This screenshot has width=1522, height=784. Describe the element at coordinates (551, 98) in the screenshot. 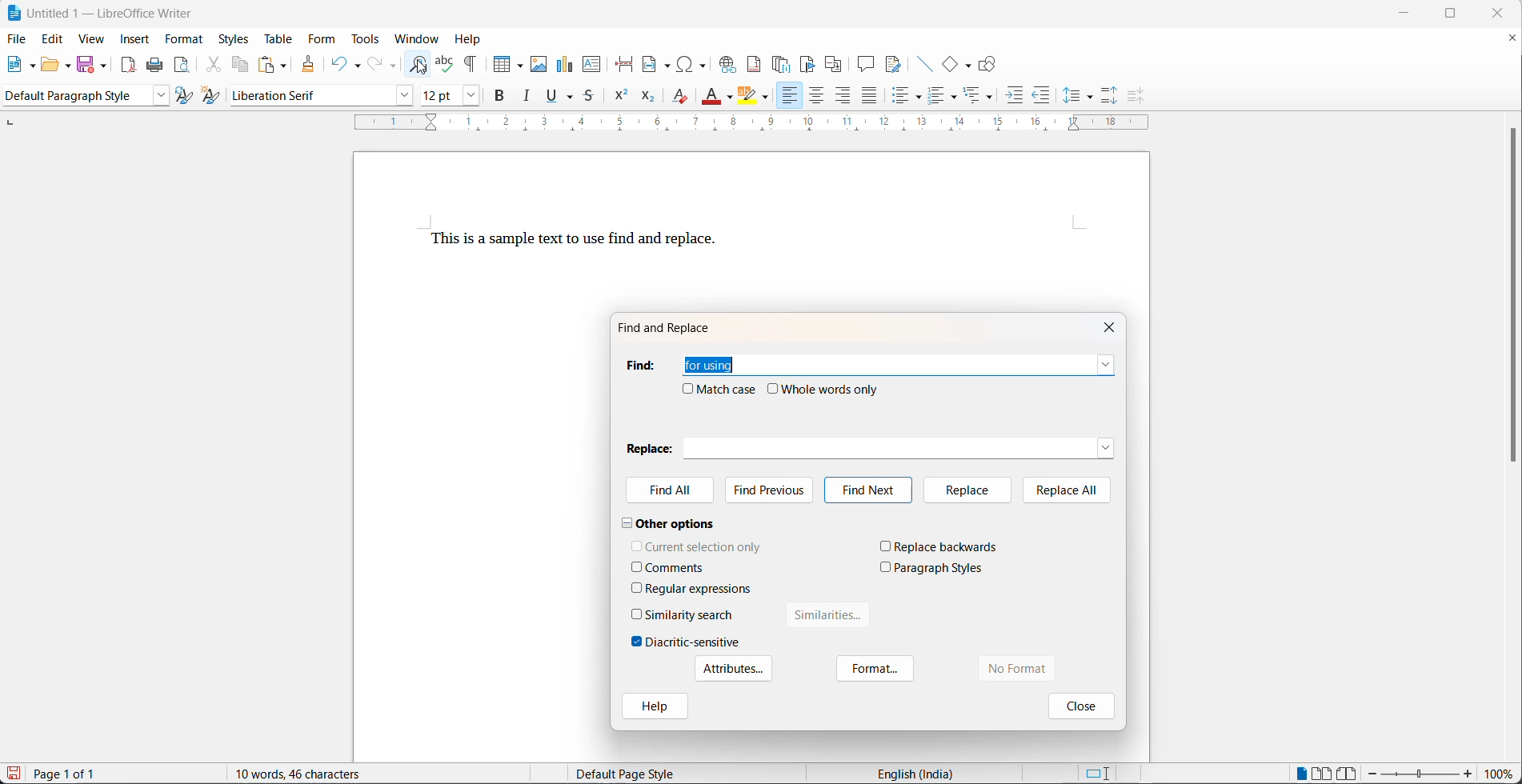

I see `underline` at that location.